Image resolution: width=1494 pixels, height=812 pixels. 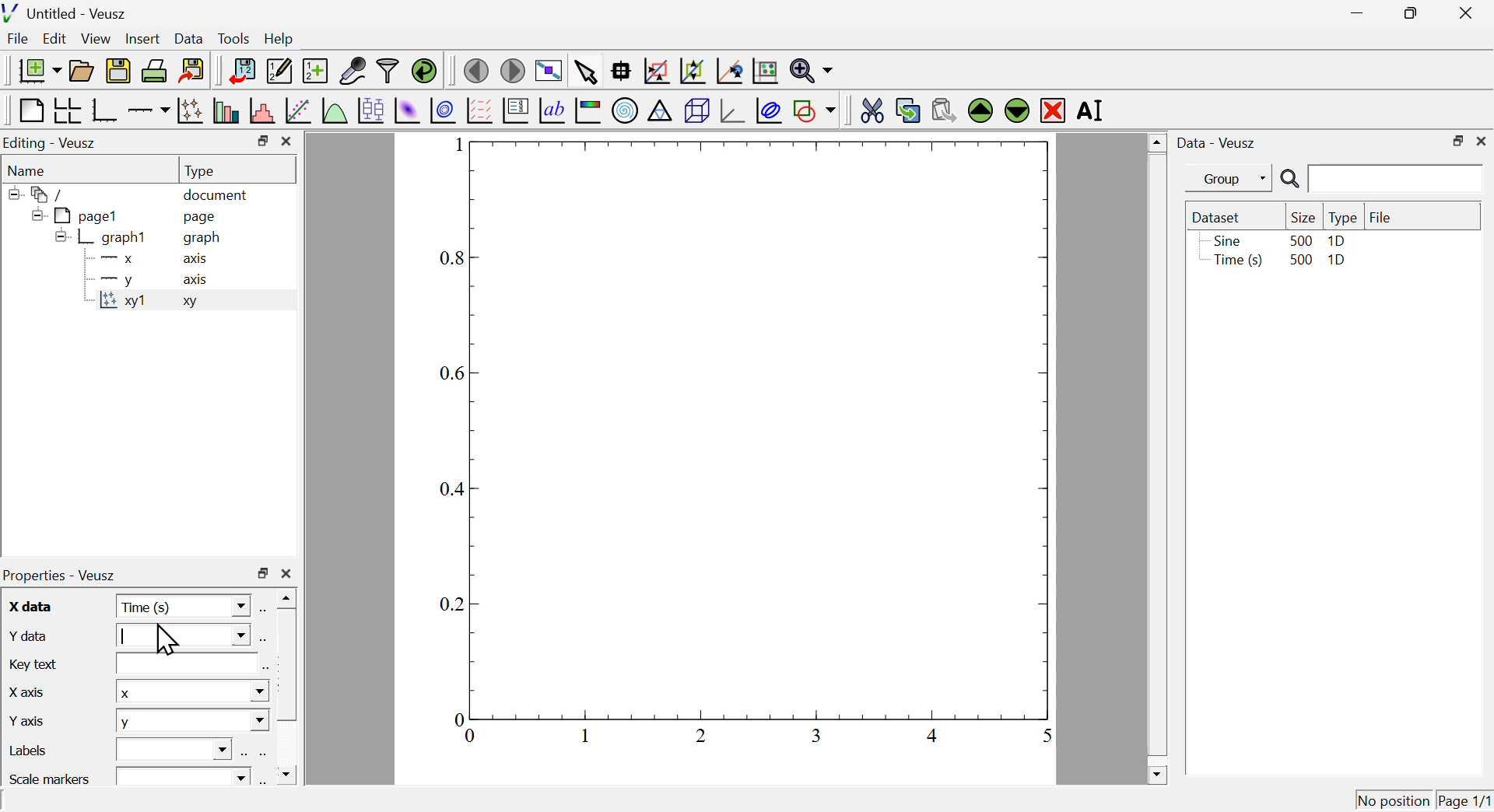 I want to click on move to the next page, so click(x=515, y=70).